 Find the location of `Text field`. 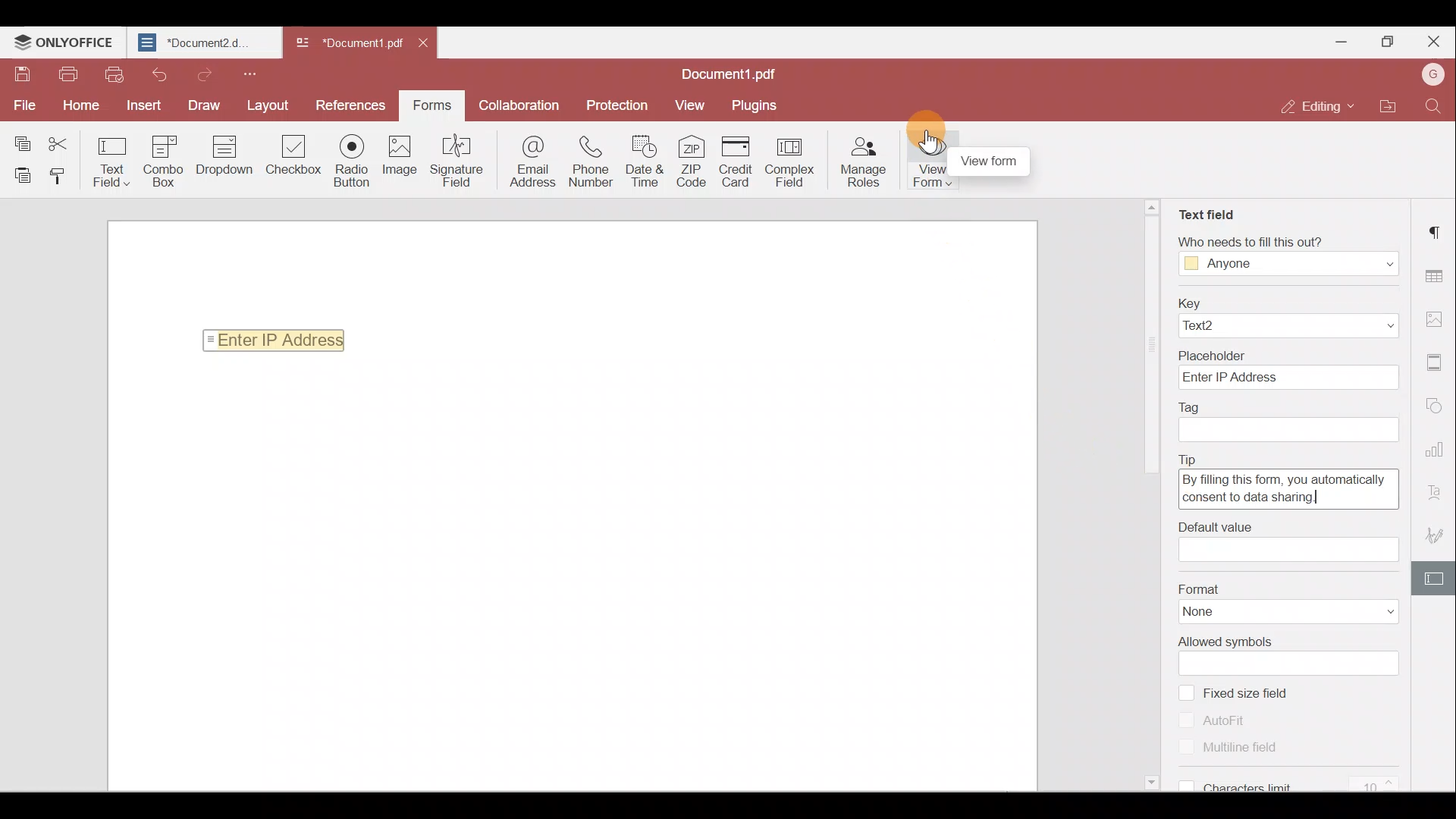

Text field is located at coordinates (1205, 209).